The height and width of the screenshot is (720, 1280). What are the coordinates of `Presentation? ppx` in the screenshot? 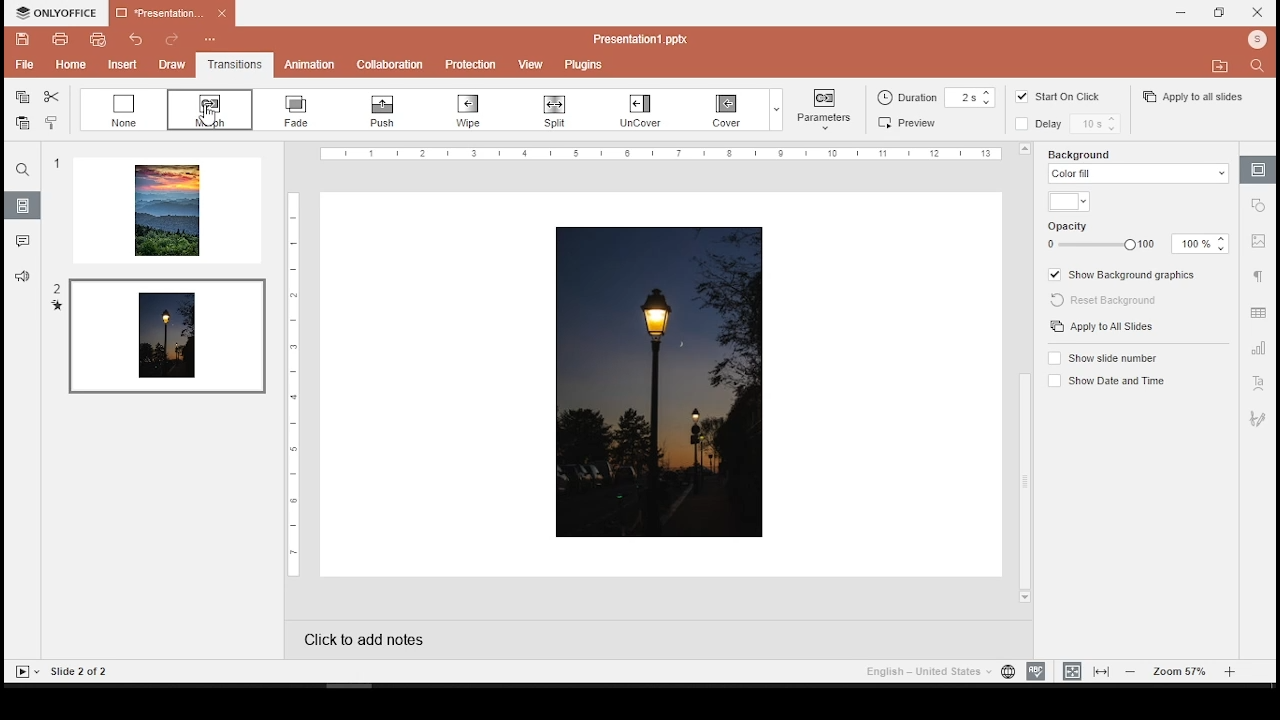 It's located at (651, 37).